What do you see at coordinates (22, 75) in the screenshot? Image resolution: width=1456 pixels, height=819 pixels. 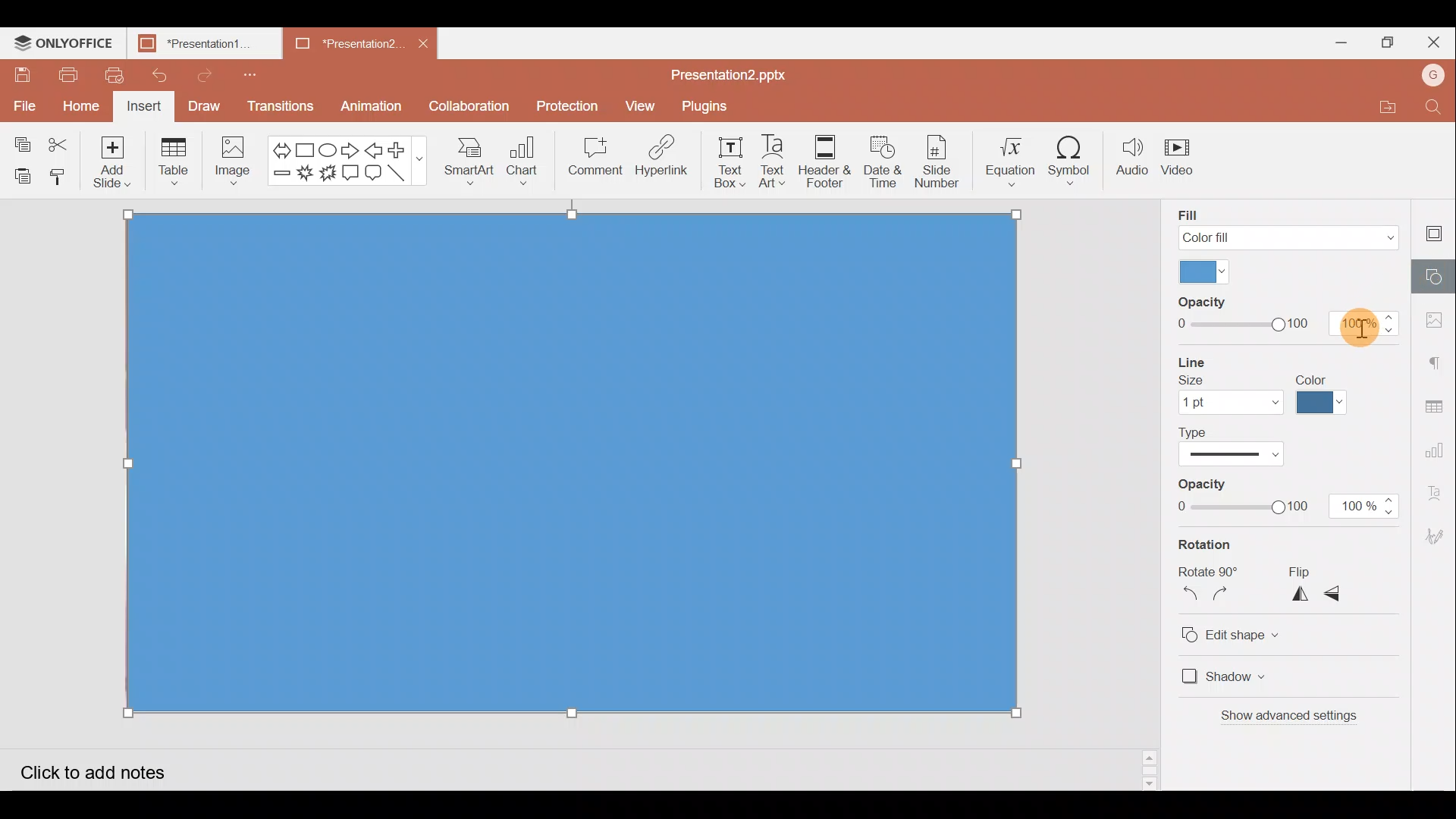 I see `Save` at bounding box center [22, 75].